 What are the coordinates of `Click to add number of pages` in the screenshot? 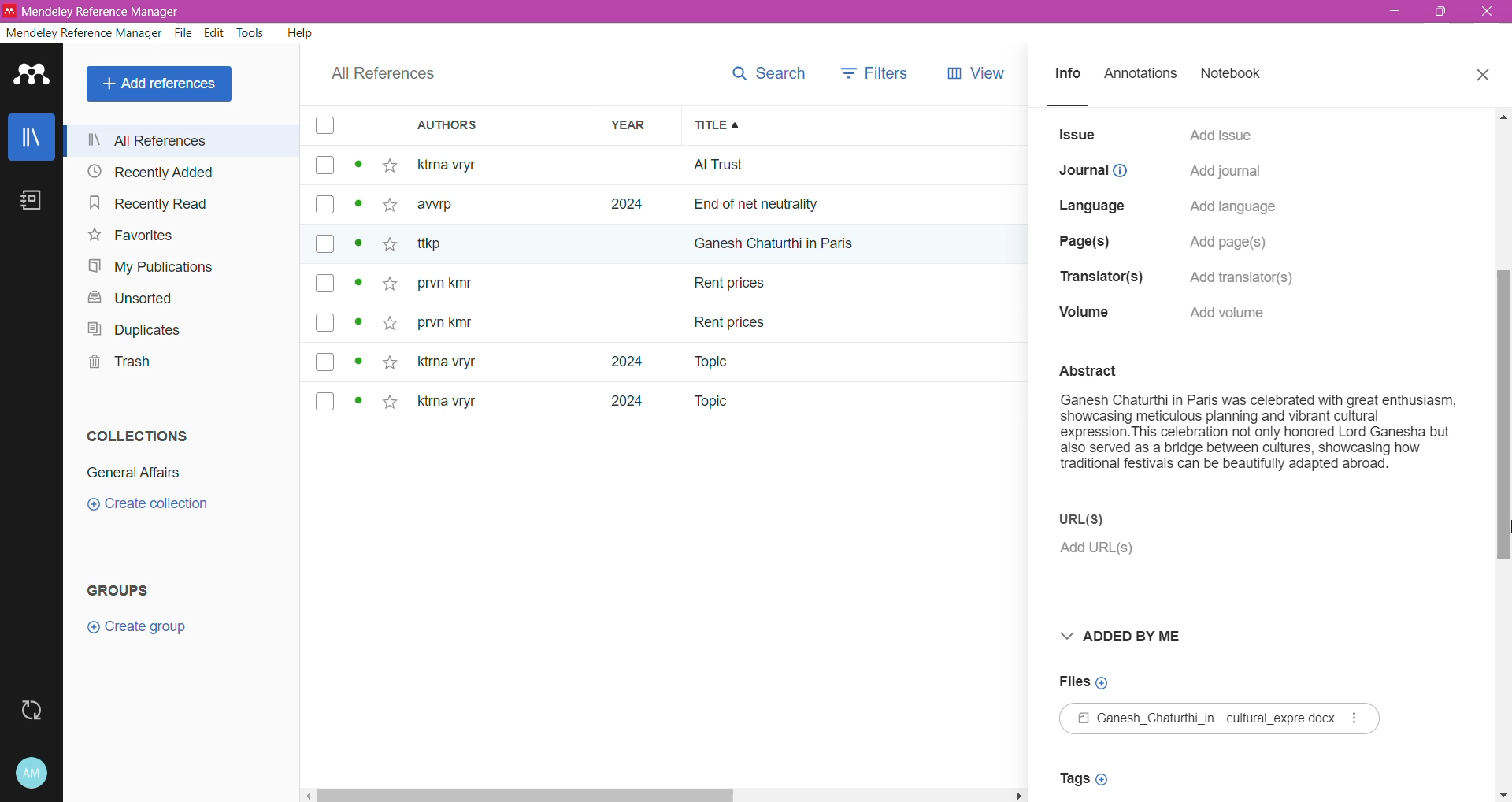 It's located at (1233, 243).